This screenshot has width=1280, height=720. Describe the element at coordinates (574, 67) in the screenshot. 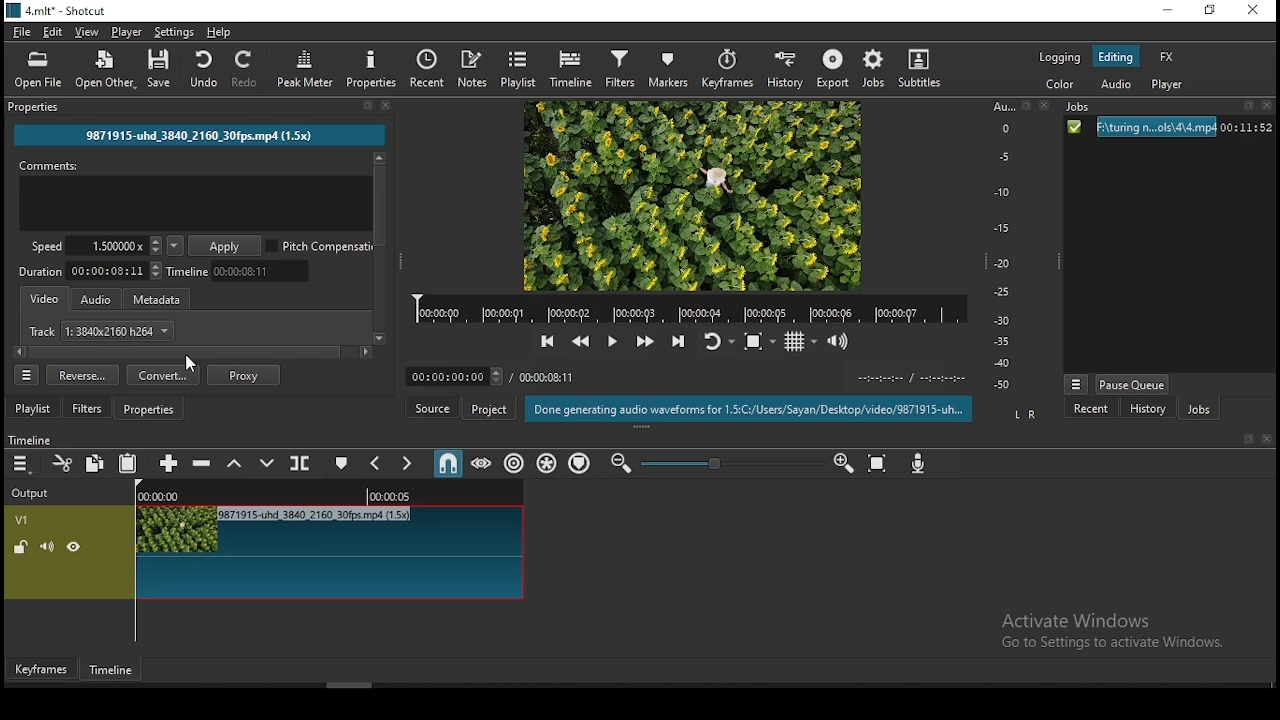

I see `timeline` at that location.